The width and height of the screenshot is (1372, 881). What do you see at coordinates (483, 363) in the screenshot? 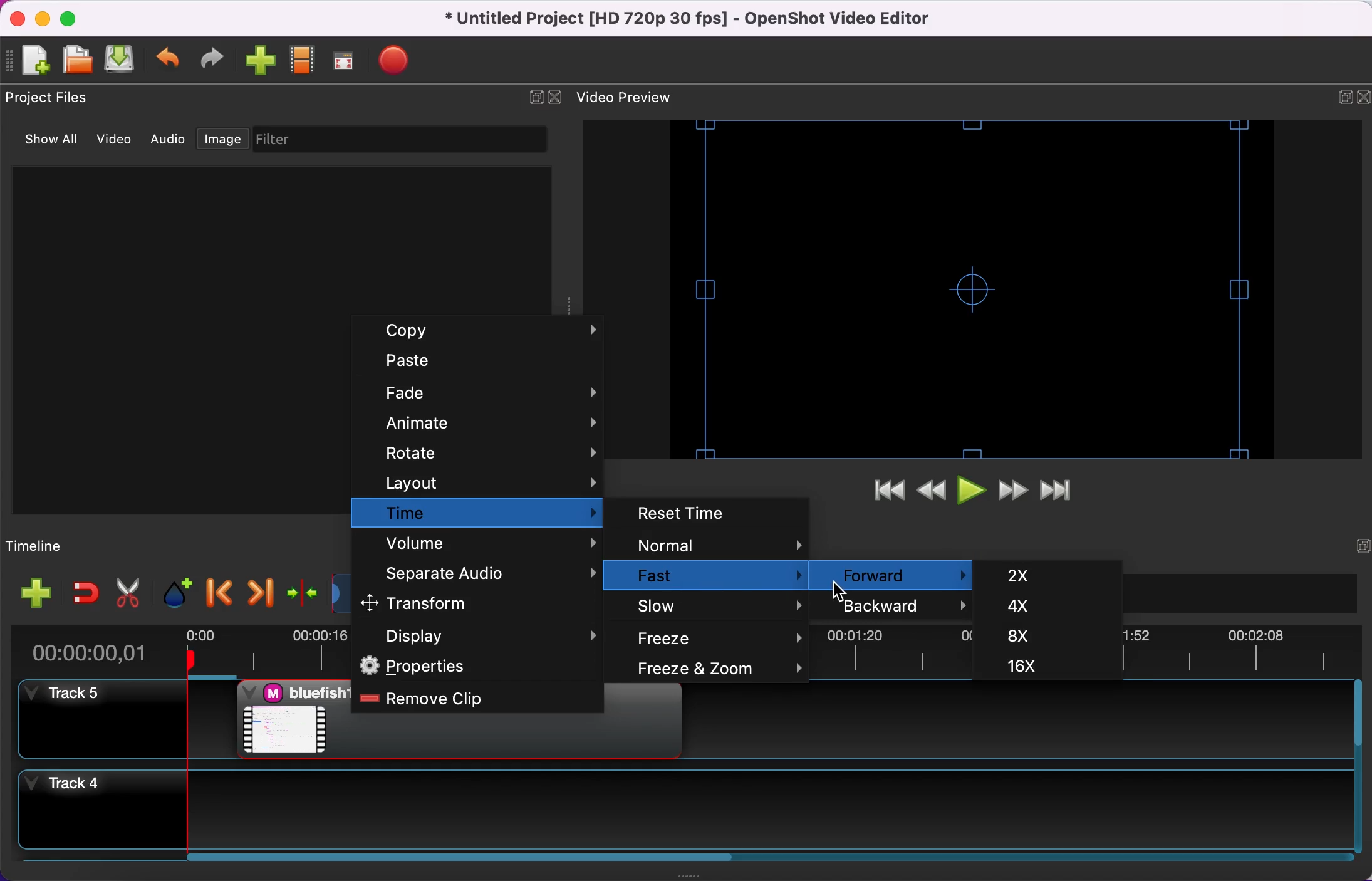
I see `paste` at bounding box center [483, 363].